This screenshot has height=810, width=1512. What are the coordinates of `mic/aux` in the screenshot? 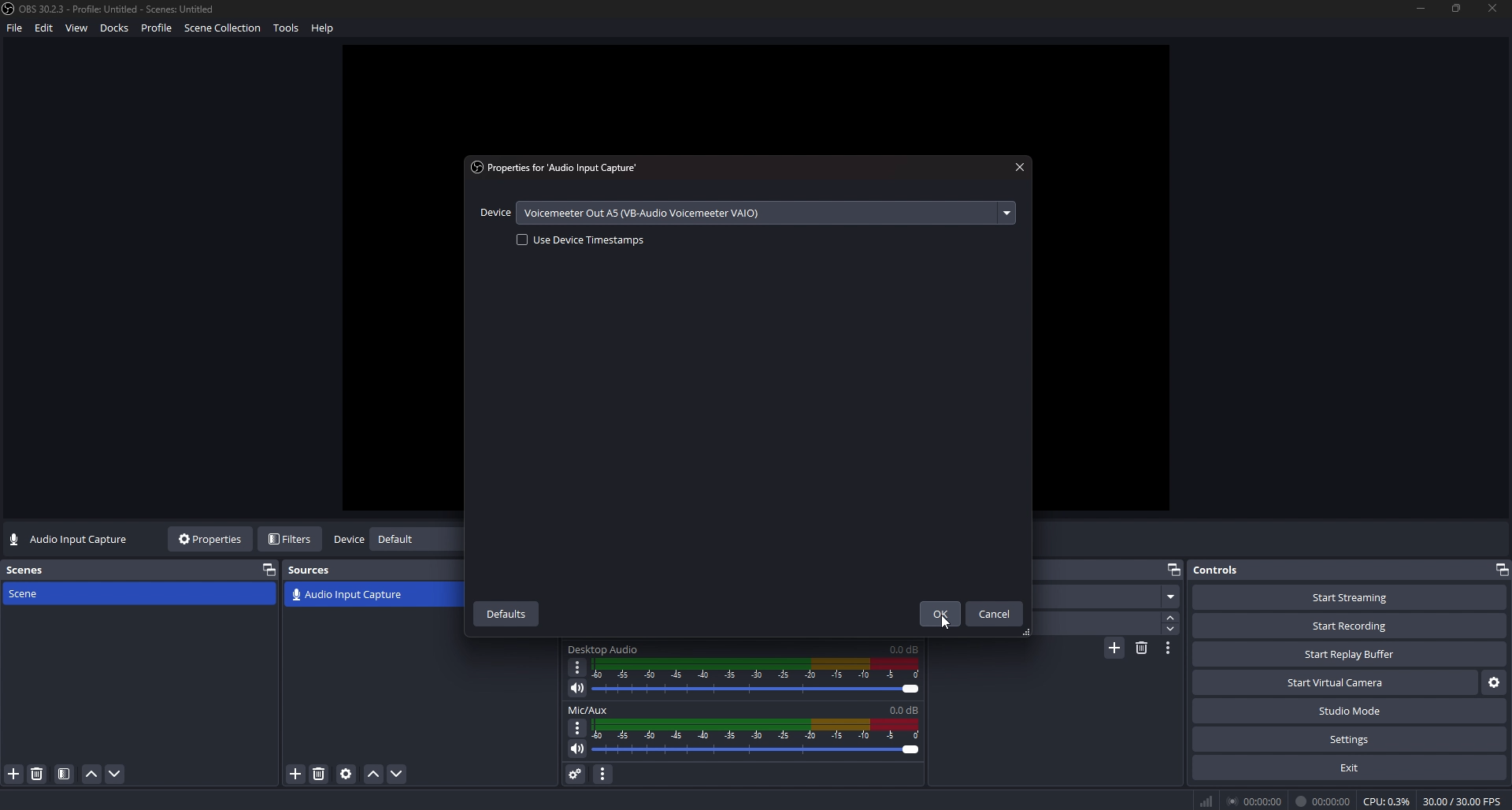 It's located at (604, 650).